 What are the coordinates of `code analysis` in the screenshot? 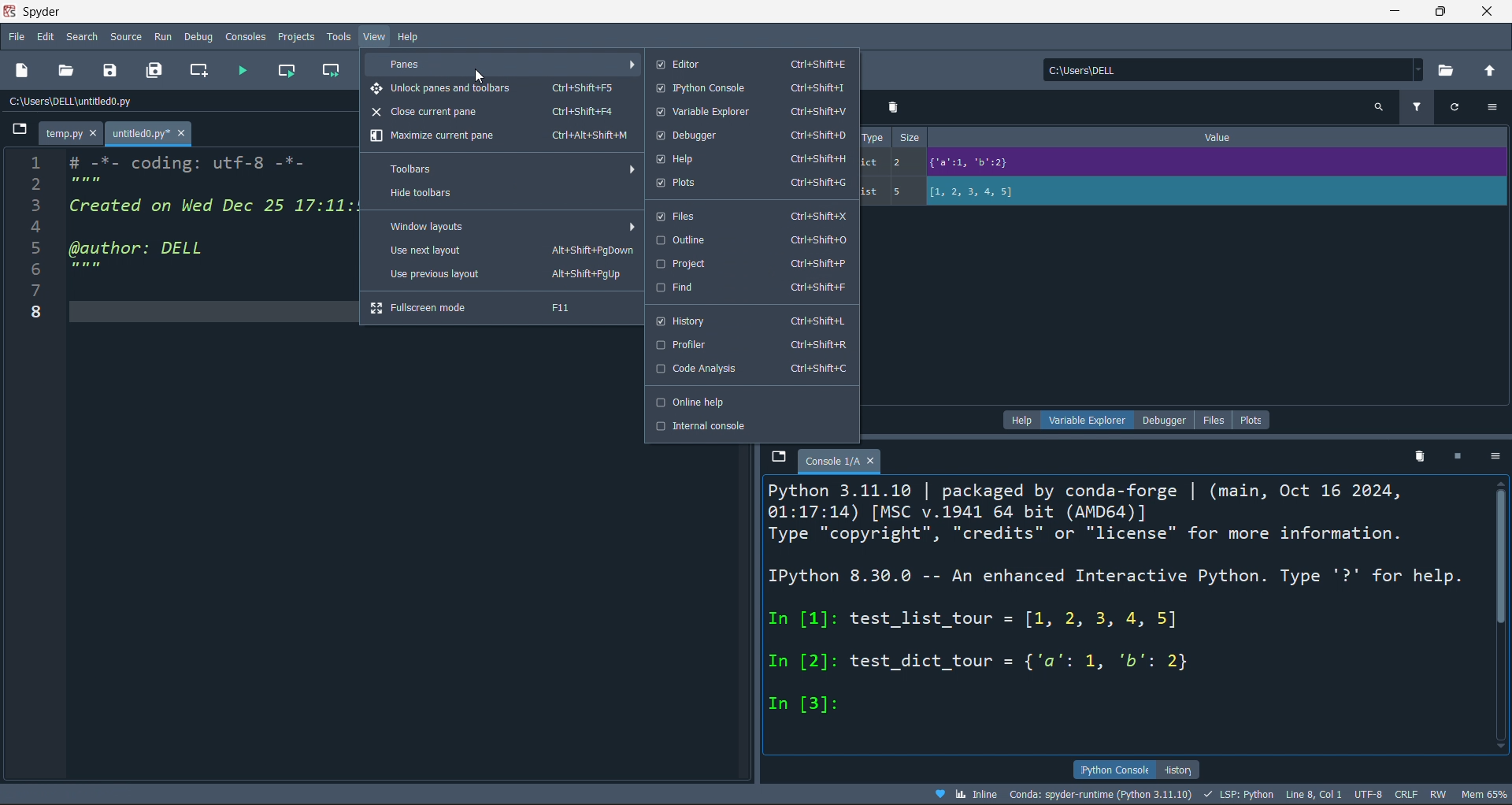 It's located at (747, 369).